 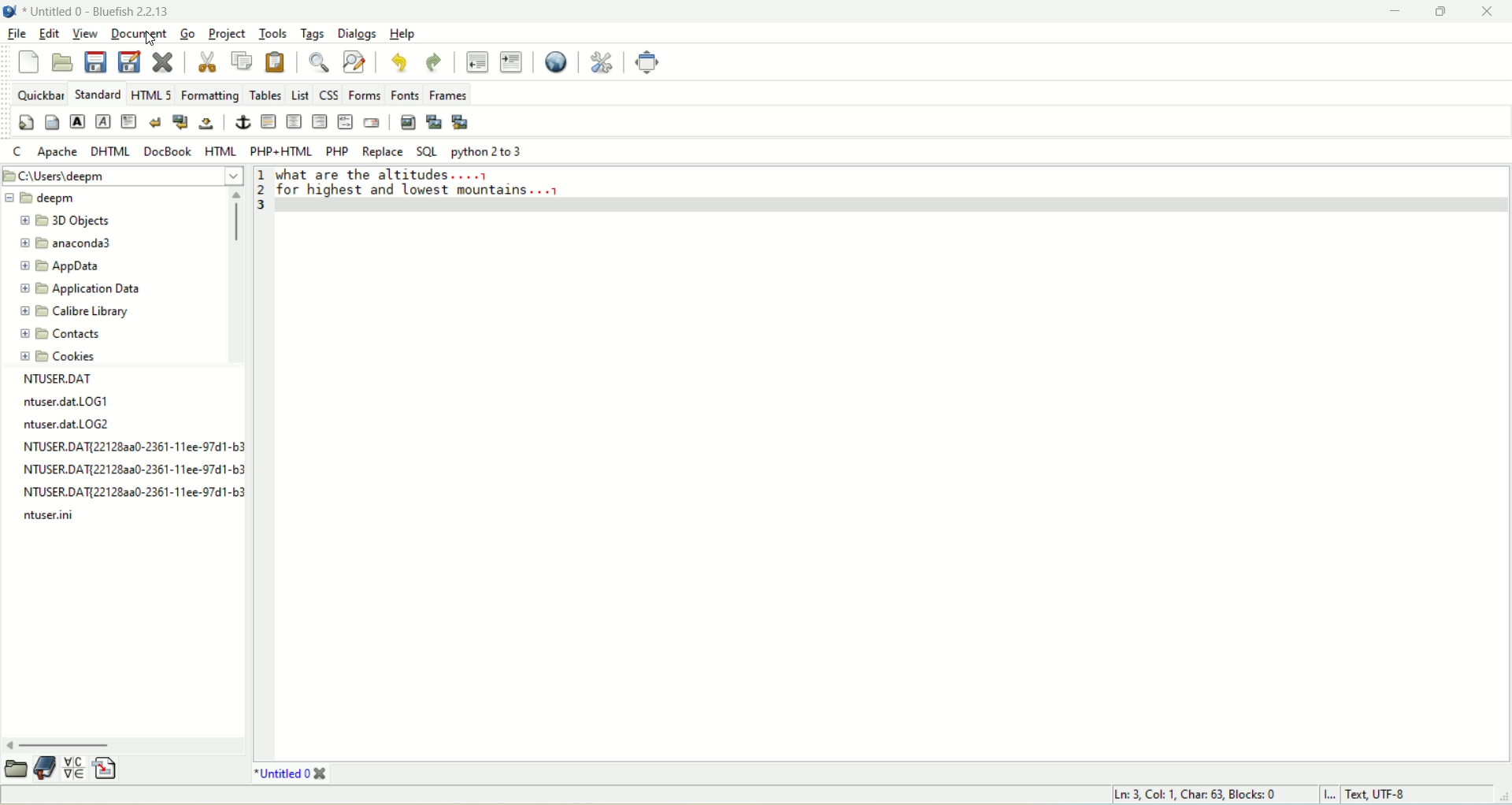 What do you see at coordinates (9, 10) in the screenshot?
I see `logo` at bounding box center [9, 10].